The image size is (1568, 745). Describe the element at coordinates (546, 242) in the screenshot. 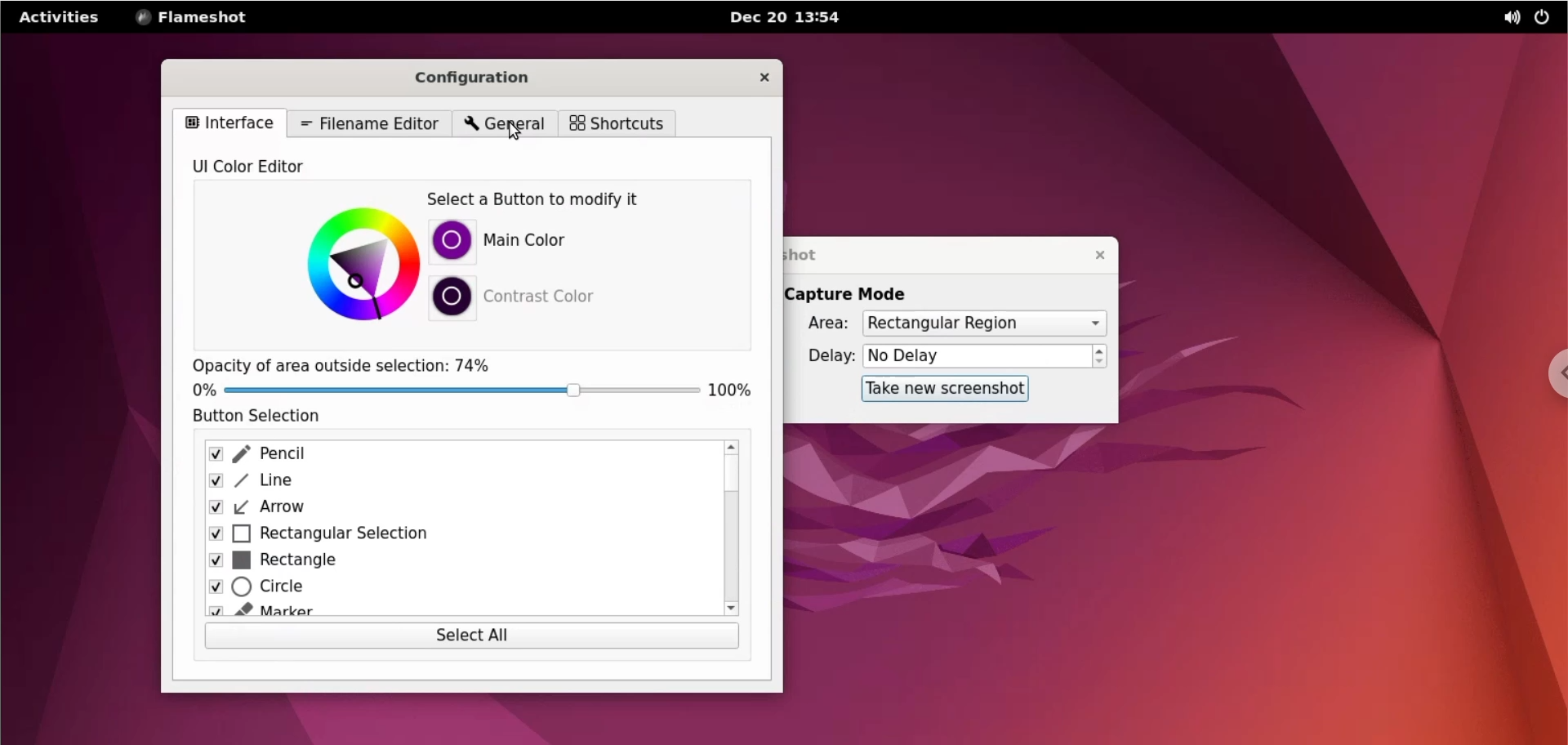

I see `main color` at that location.